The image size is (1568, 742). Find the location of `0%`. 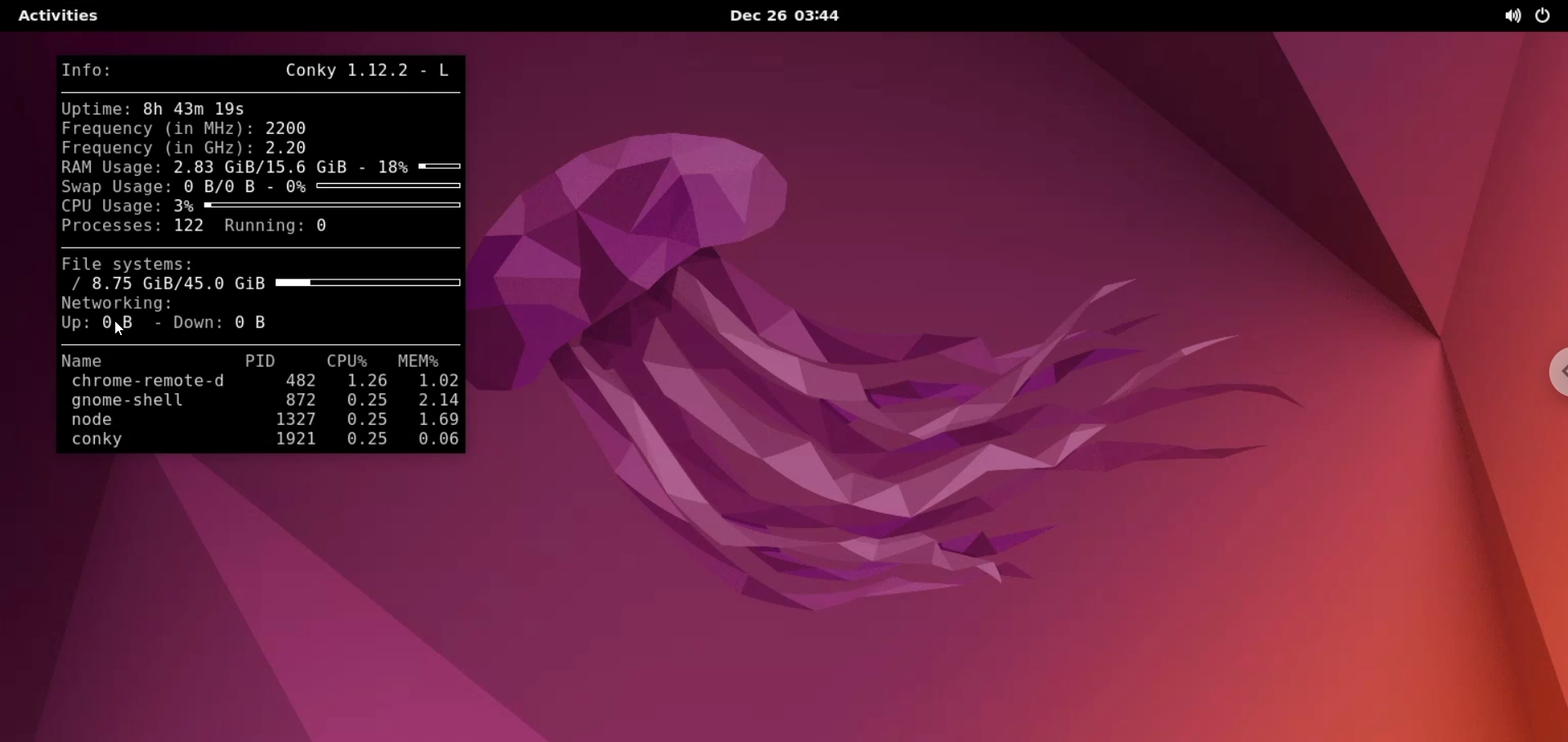

0% is located at coordinates (370, 186).